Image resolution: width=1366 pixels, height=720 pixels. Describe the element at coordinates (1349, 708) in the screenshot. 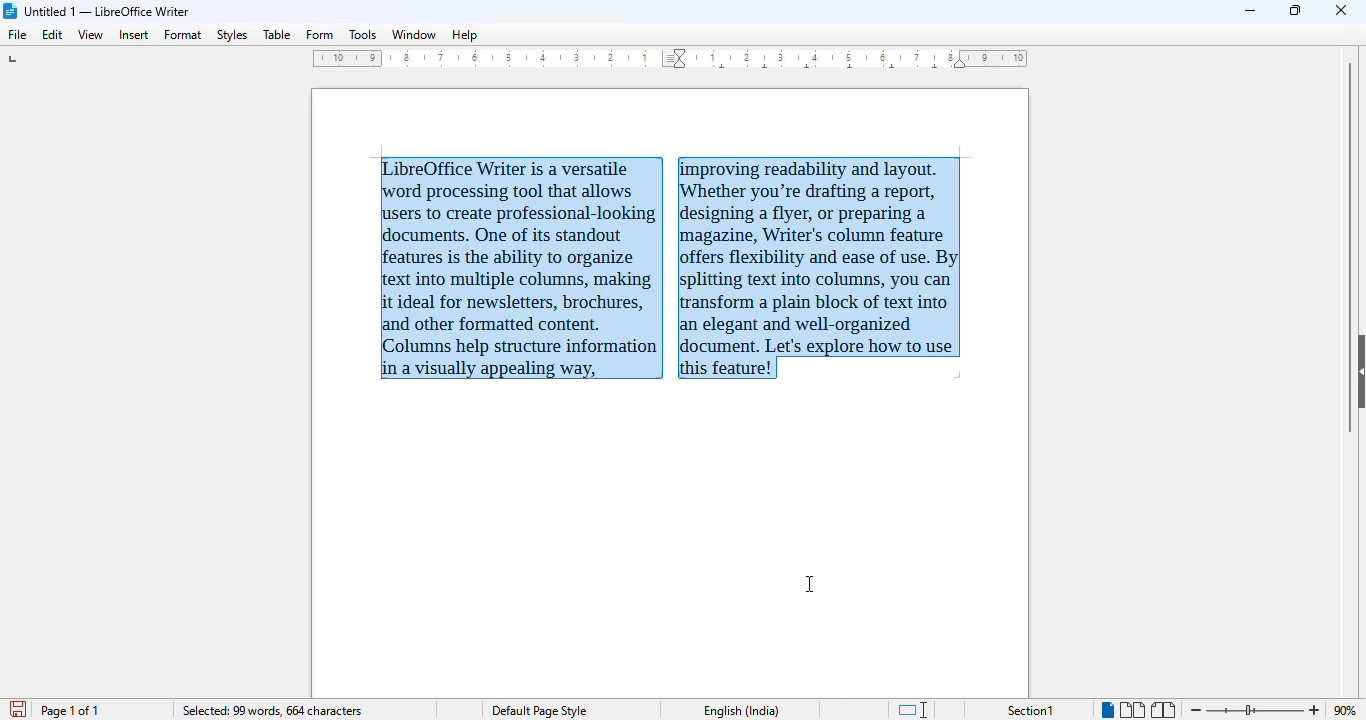

I see `90% (current zoom level)` at that location.